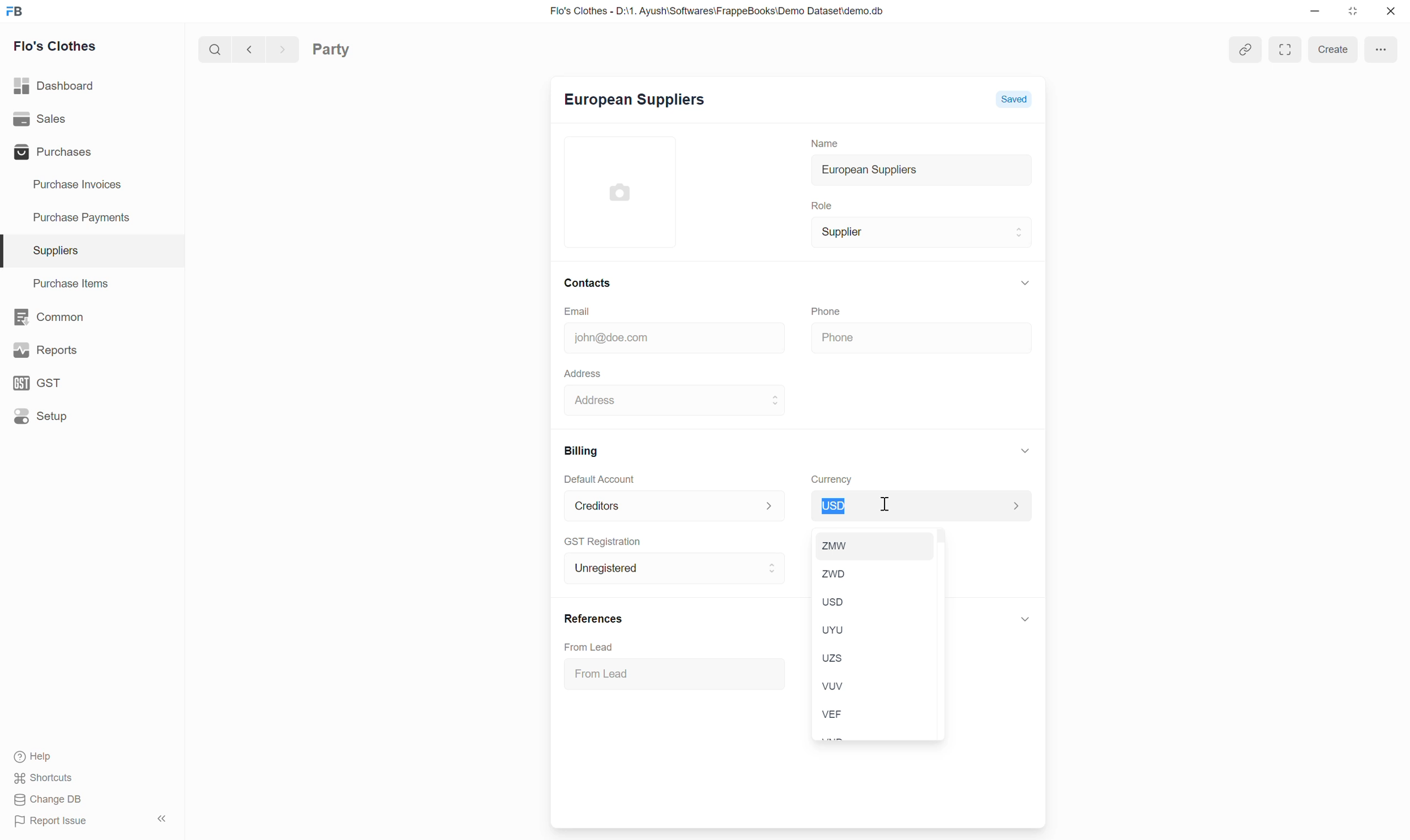 The height and width of the screenshot is (840, 1410). What do you see at coordinates (630, 102) in the screenshot?
I see `European Suppliers` at bounding box center [630, 102].